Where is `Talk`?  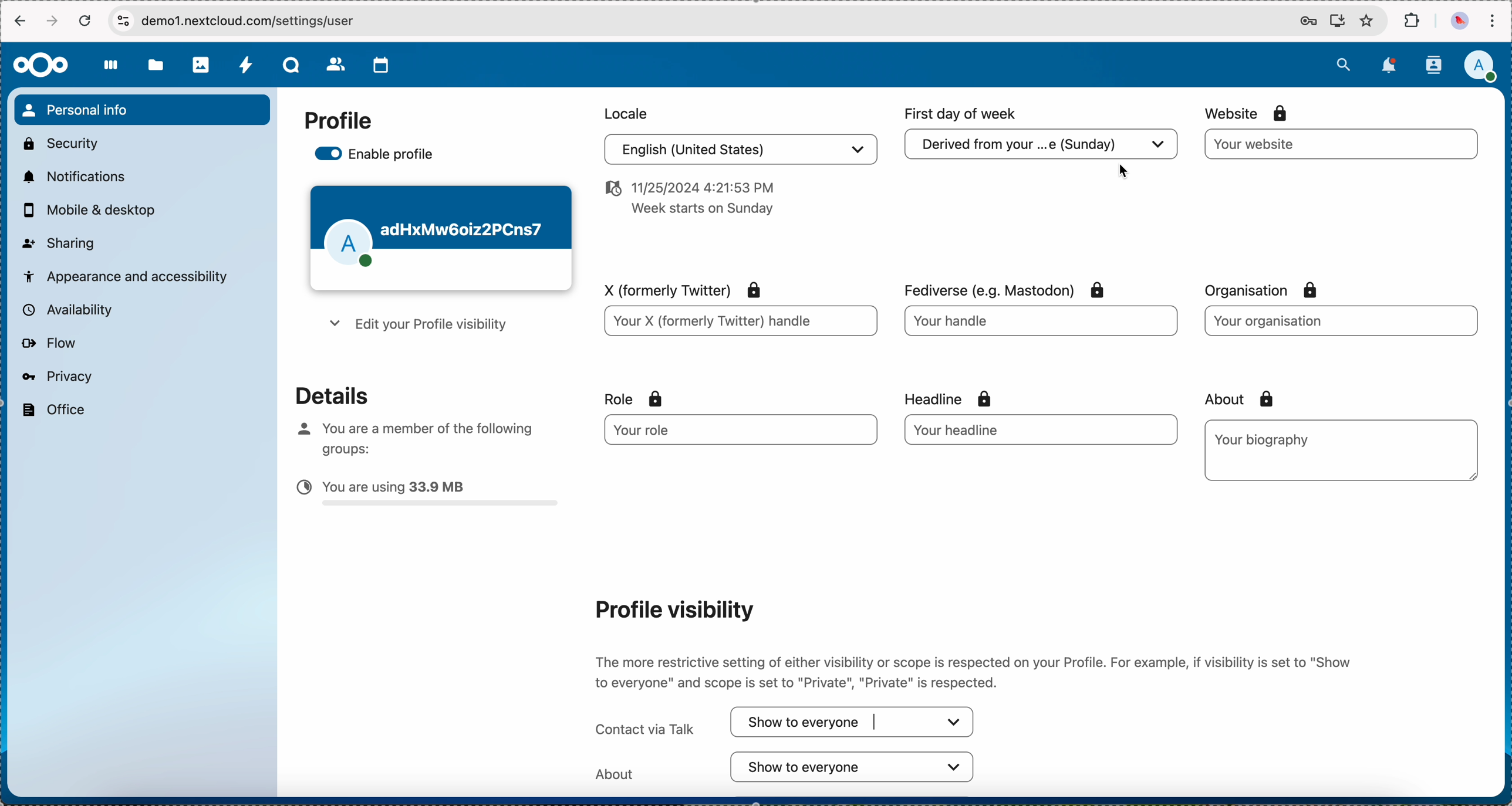 Talk is located at coordinates (293, 66).